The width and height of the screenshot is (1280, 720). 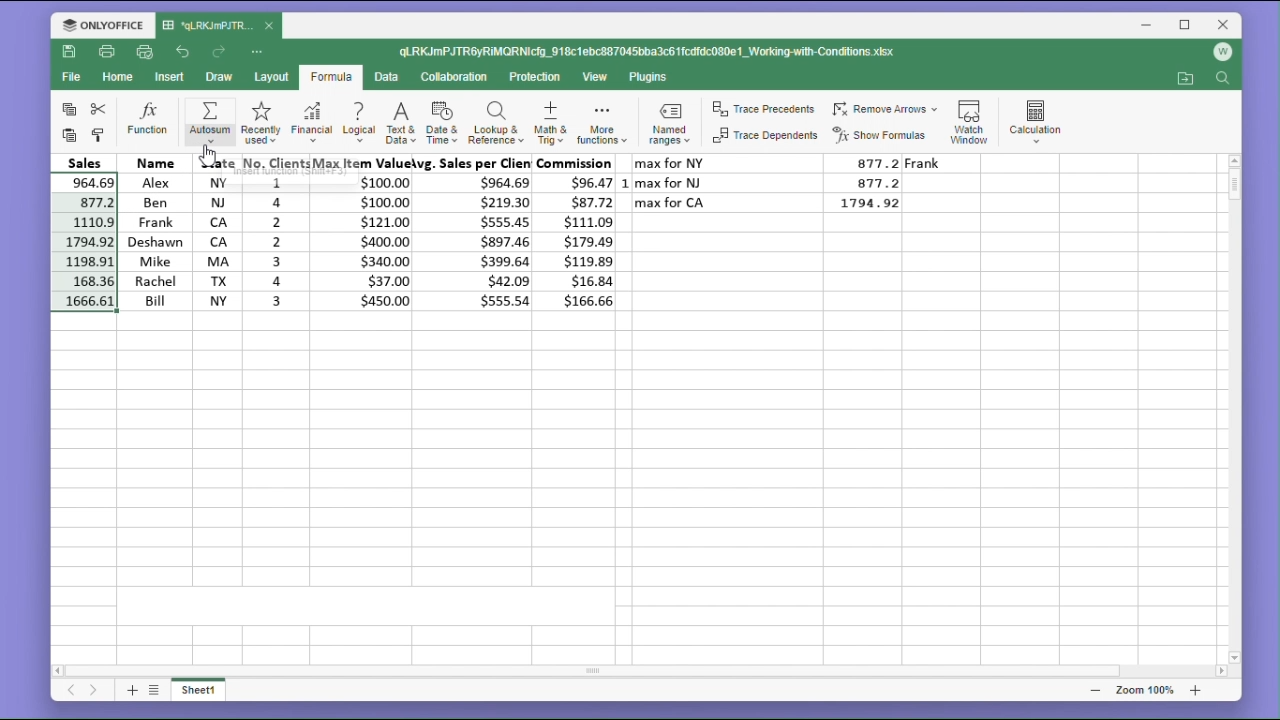 What do you see at coordinates (495, 125) in the screenshot?
I see `lookup and reference` at bounding box center [495, 125].